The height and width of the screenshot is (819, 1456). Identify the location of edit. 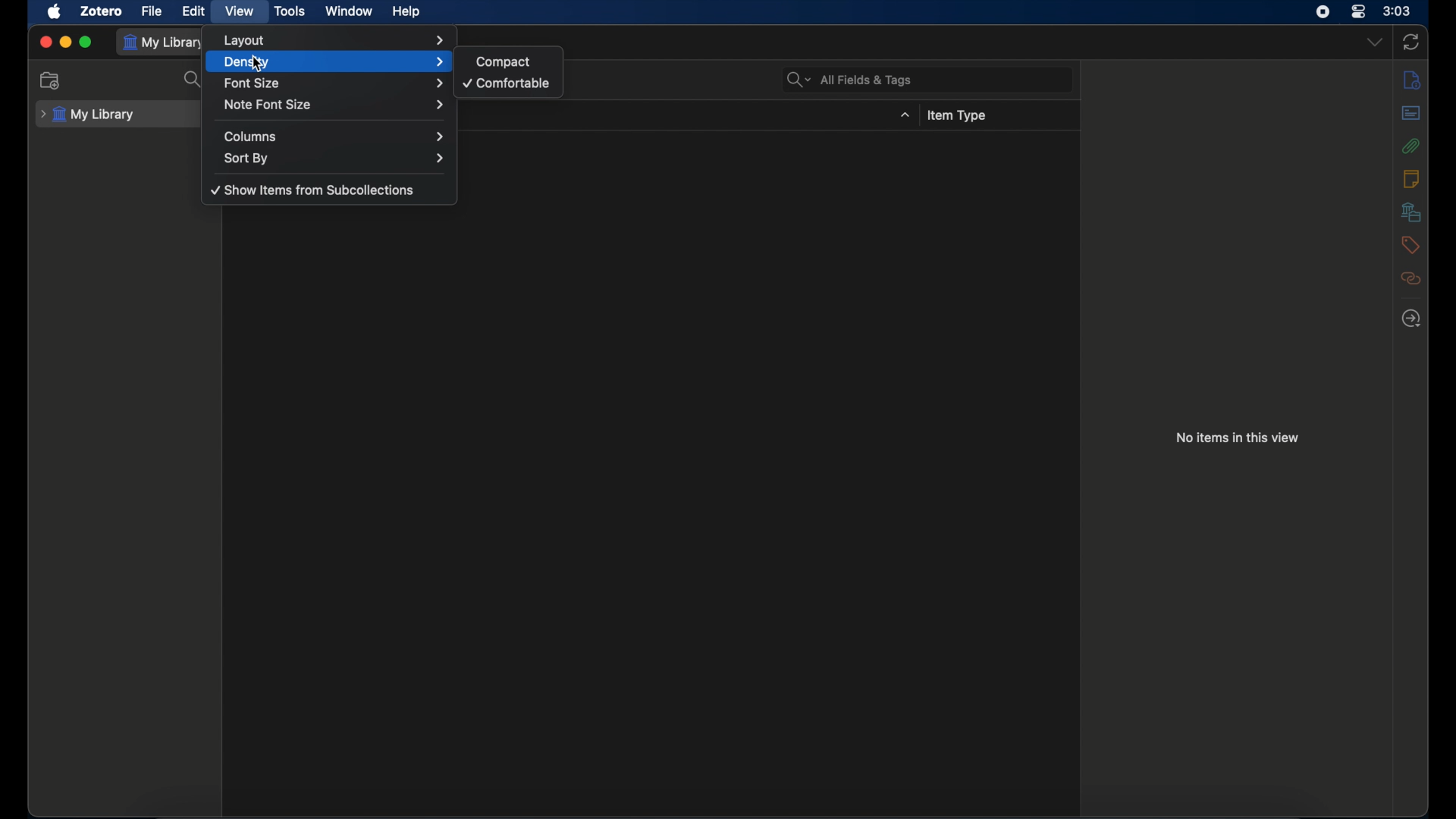
(193, 11).